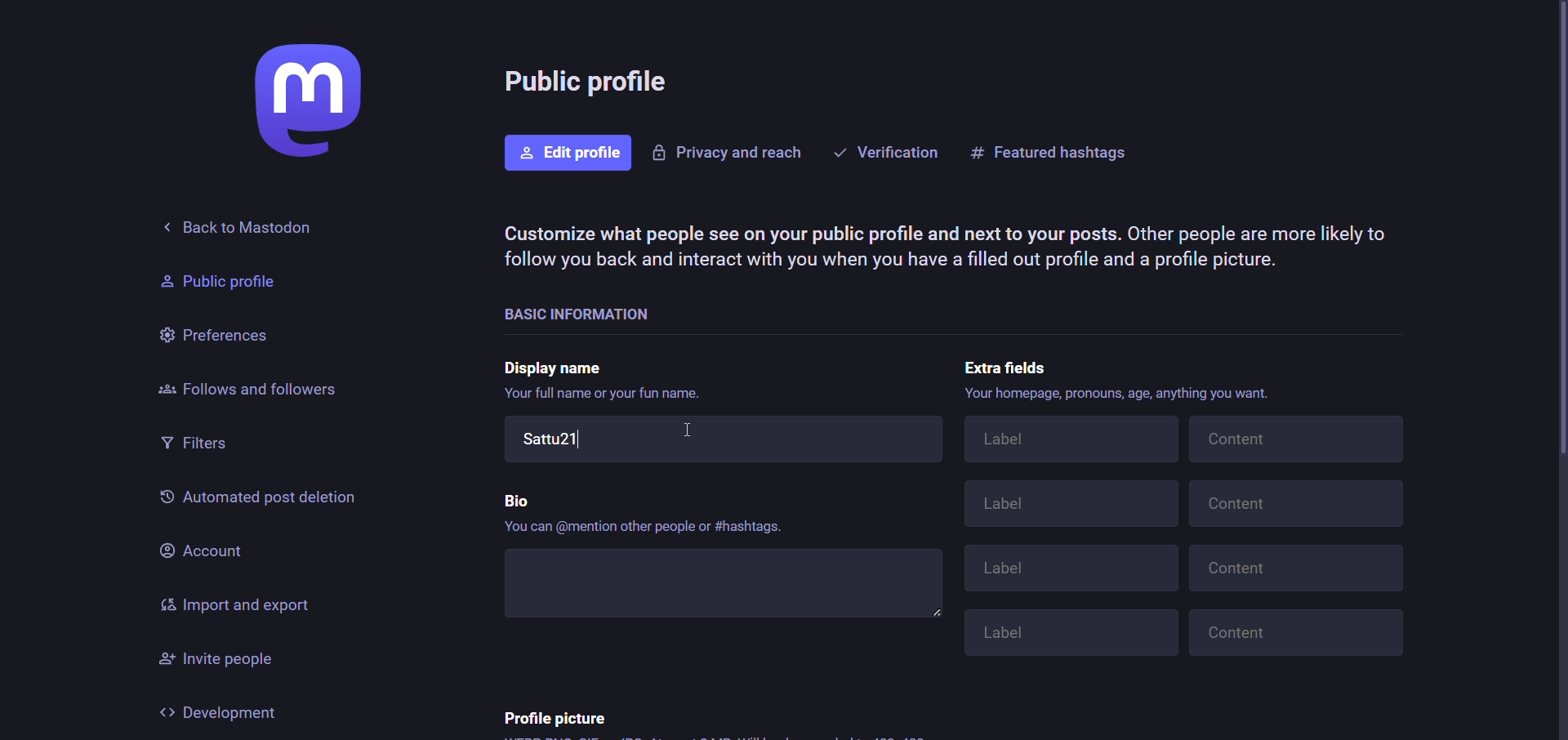  I want to click on automated past deletion, so click(256, 500).